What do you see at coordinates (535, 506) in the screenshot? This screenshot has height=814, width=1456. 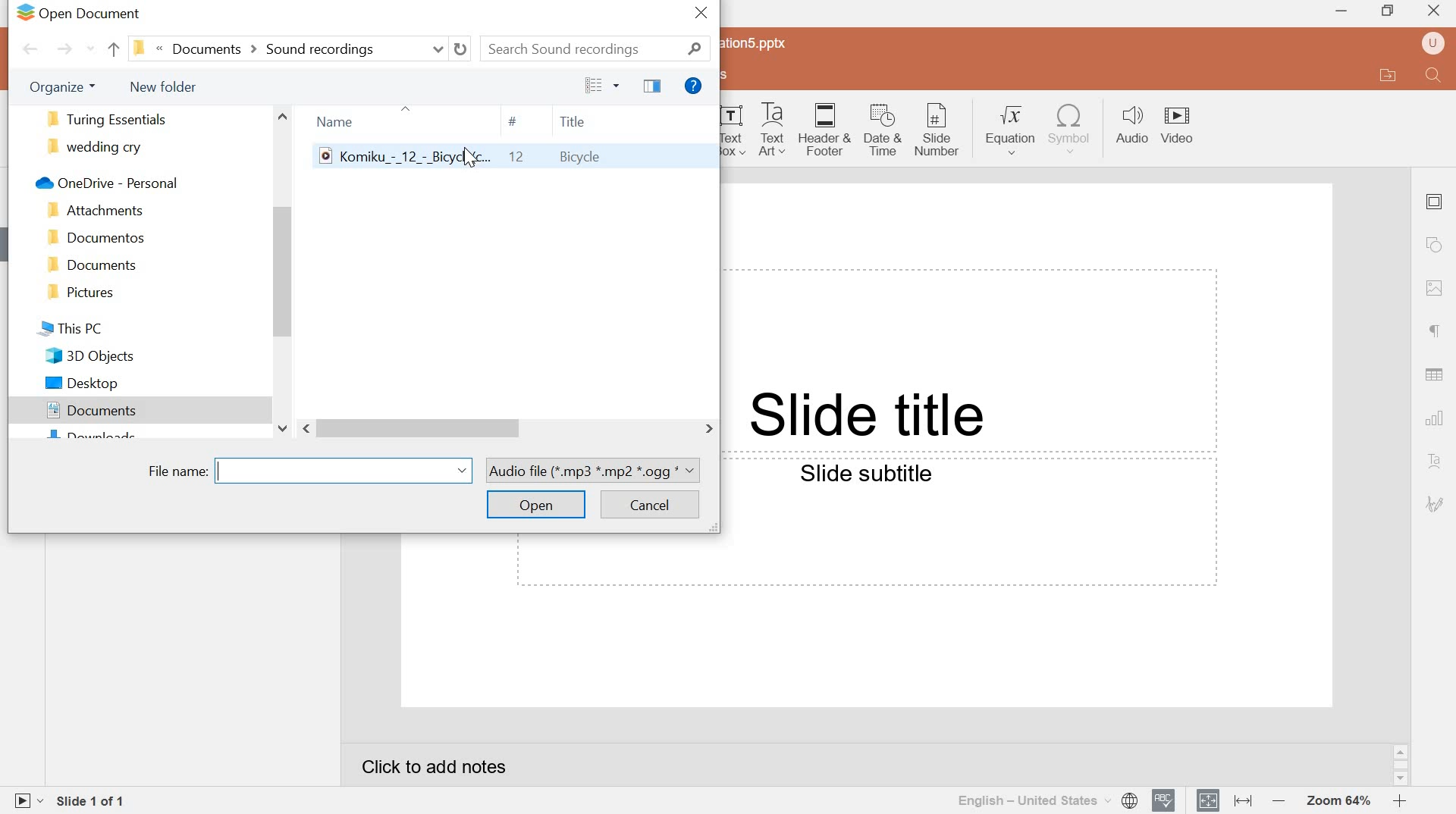 I see `open` at bounding box center [535, 506].